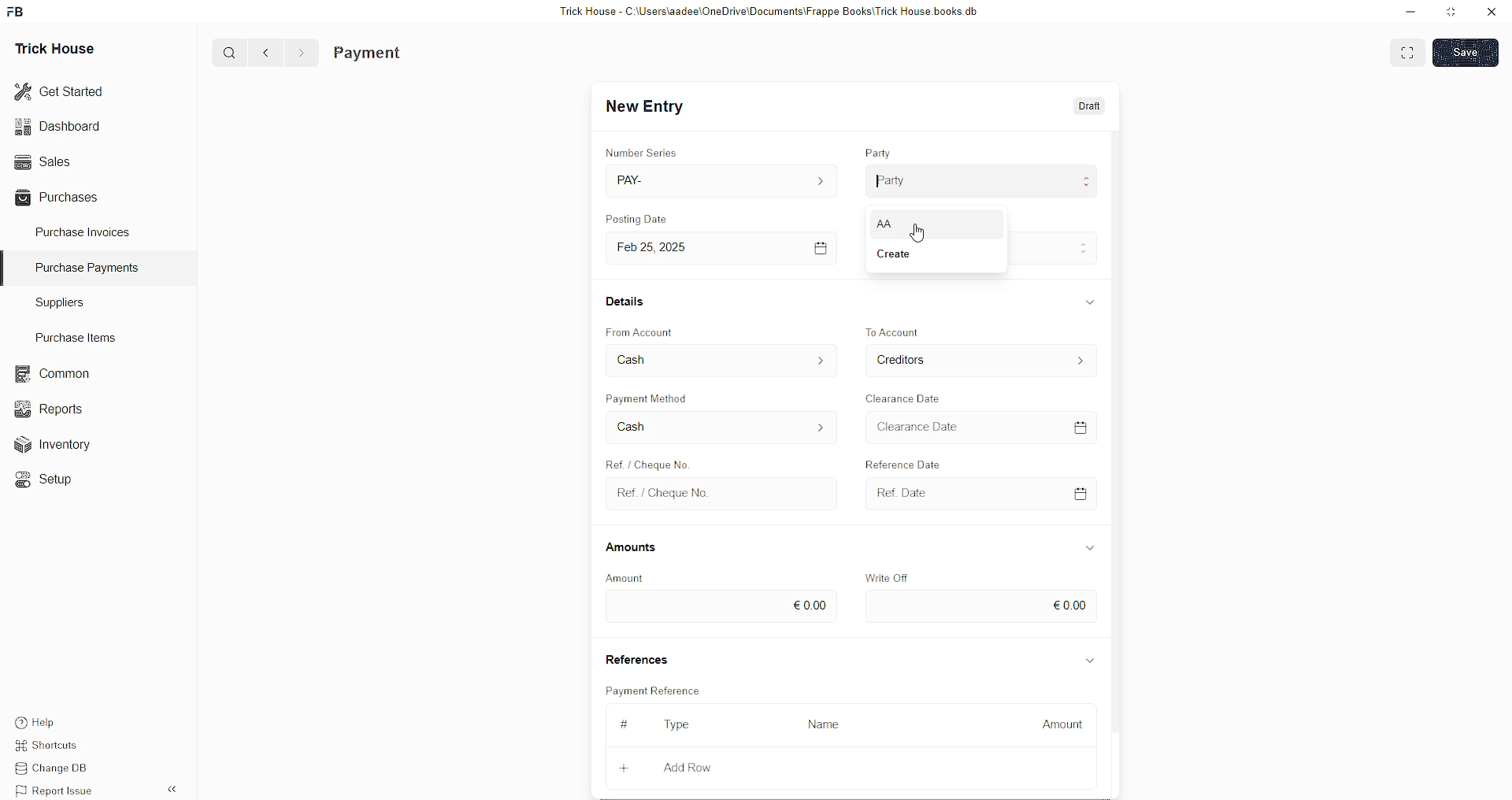 This screenshot has height=800, width=1512. What do you see at coordinates (645, 331) in the screenshot?
I see `From Account` at bounding box center [645, 331].